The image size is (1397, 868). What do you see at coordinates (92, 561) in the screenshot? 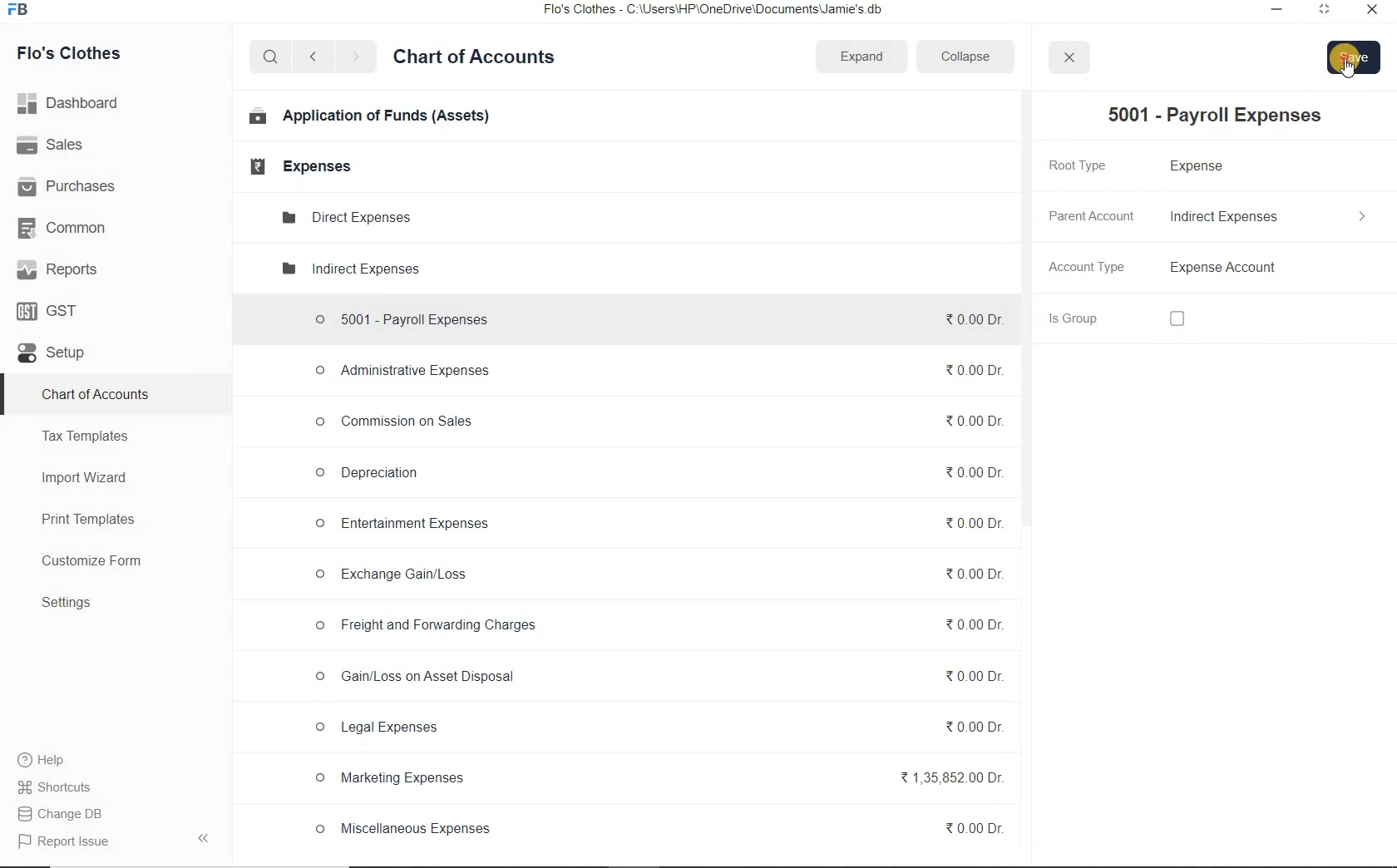
I see `Customize Form` at bounding box center [92, 561].